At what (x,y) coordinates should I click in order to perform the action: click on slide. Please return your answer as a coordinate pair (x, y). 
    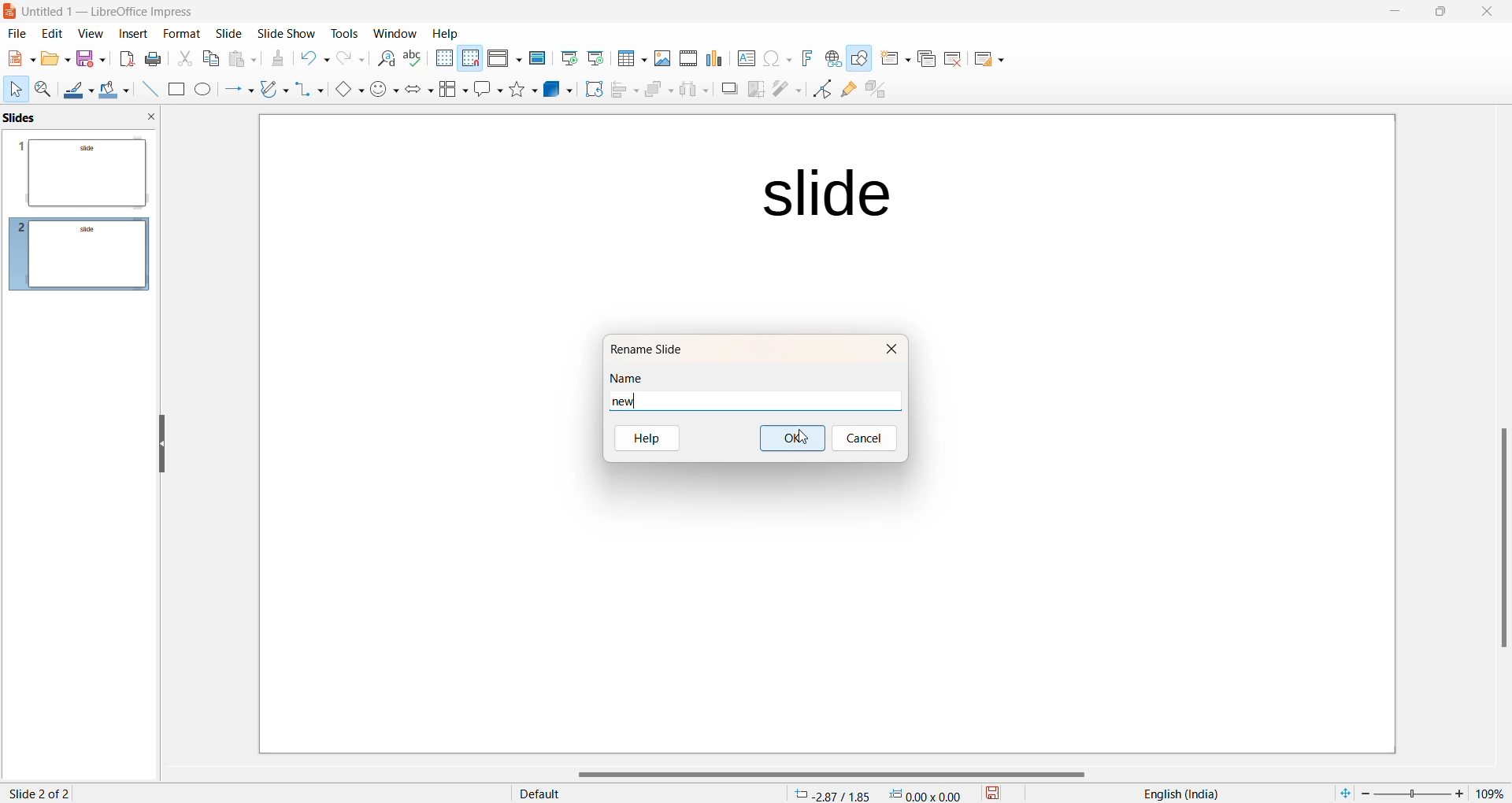
    Looking at the image, I should click on (824, 194).